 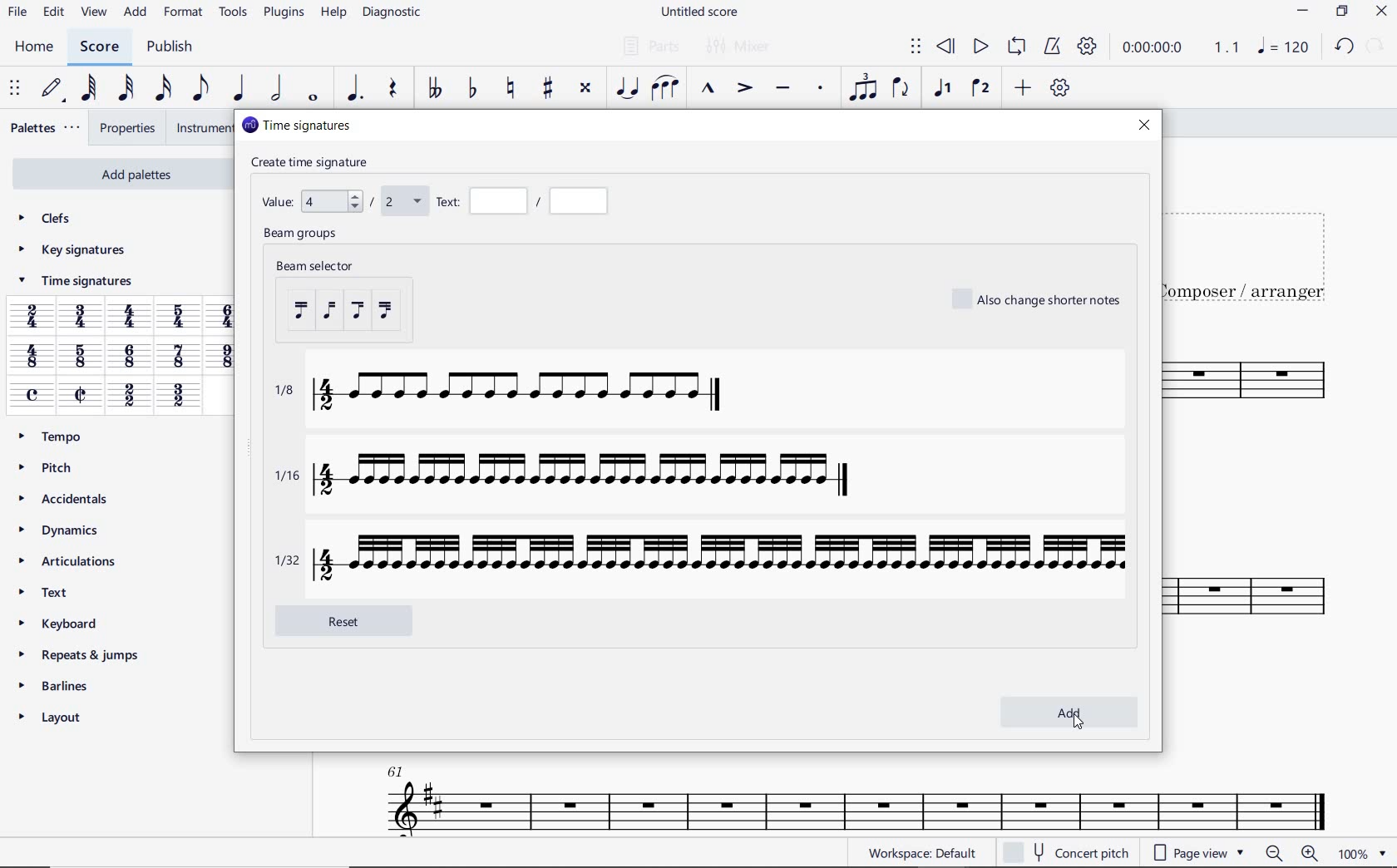 What do you see at coordinates (56, 717) in the screenshot?
I see `LAYOUT` at bounding box center [56, 717].